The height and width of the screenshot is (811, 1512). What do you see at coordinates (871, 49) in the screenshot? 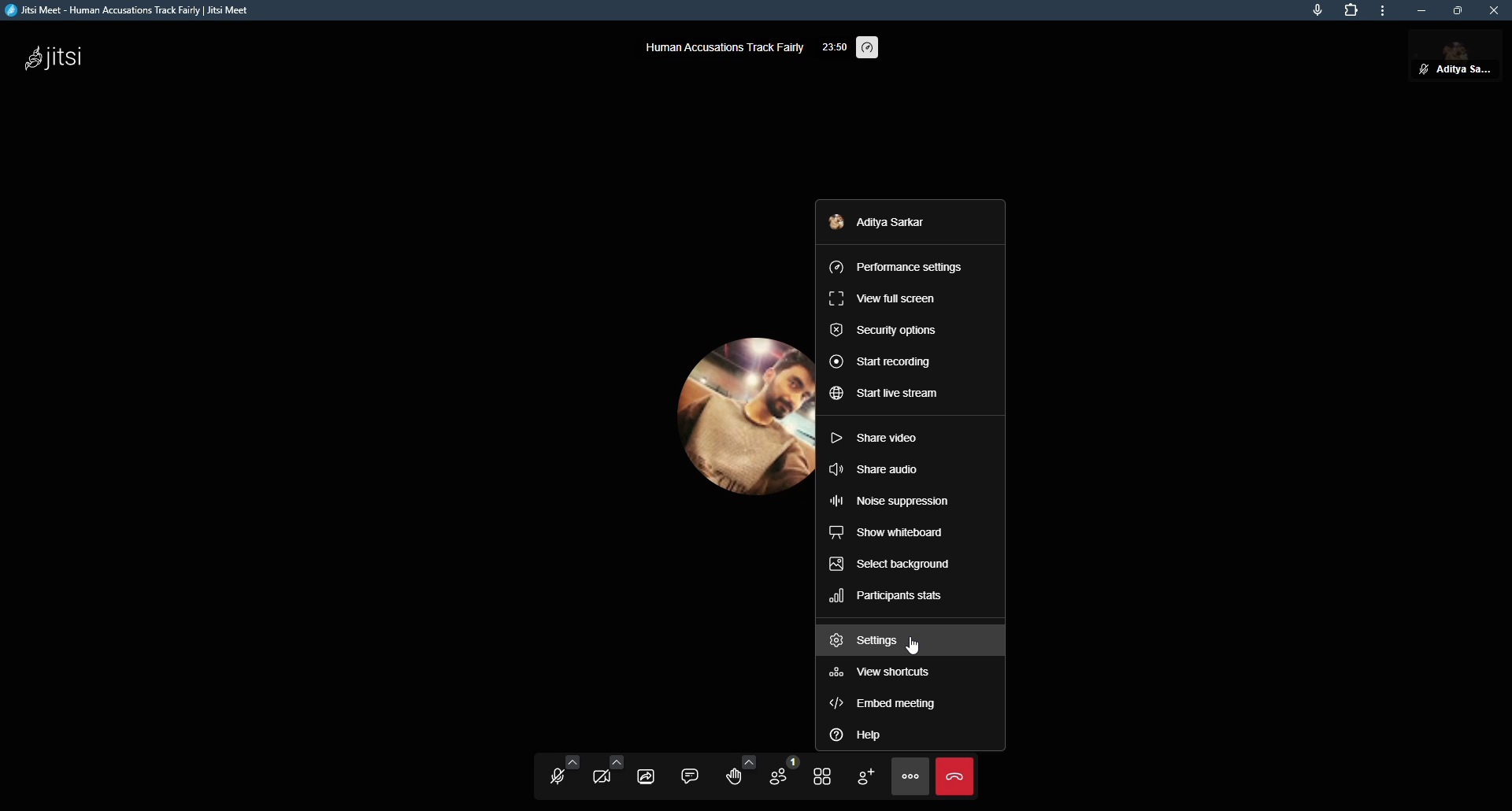
I see `performance setting` at bounding box center [871, 49].